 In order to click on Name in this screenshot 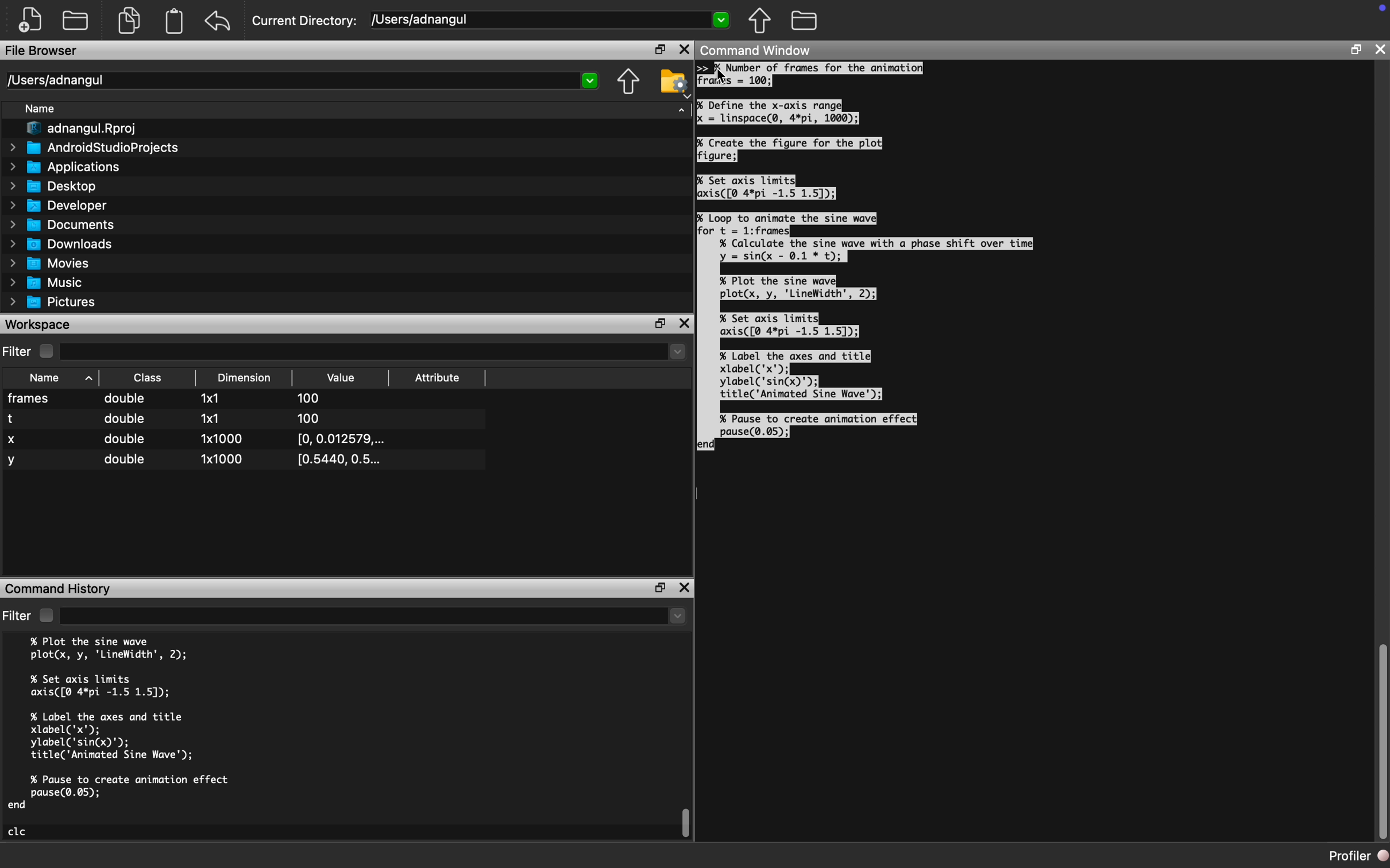, I will do `click(41, 108)`.